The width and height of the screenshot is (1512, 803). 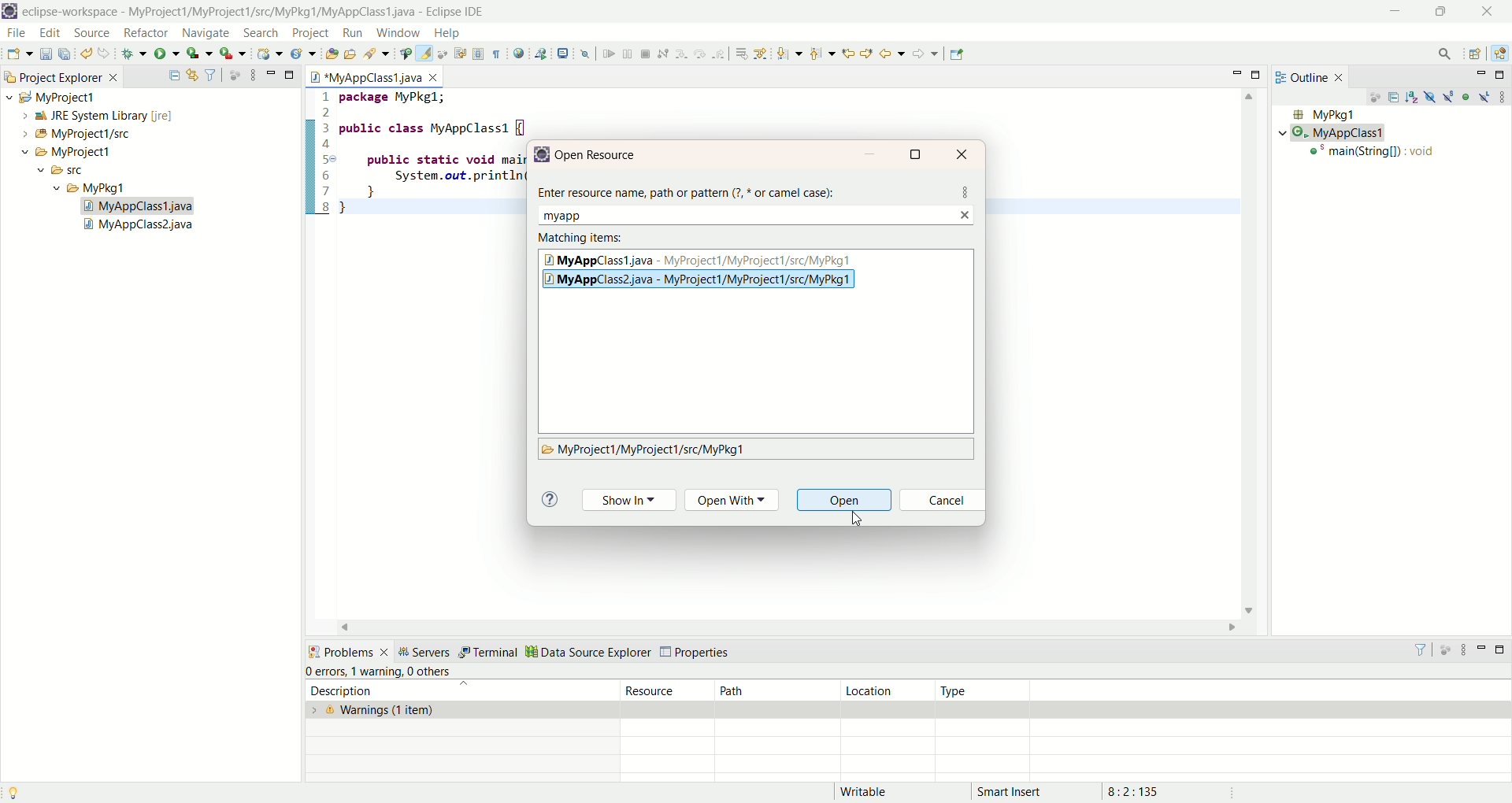 I want to click on open resource, so click(x=602, y=155).